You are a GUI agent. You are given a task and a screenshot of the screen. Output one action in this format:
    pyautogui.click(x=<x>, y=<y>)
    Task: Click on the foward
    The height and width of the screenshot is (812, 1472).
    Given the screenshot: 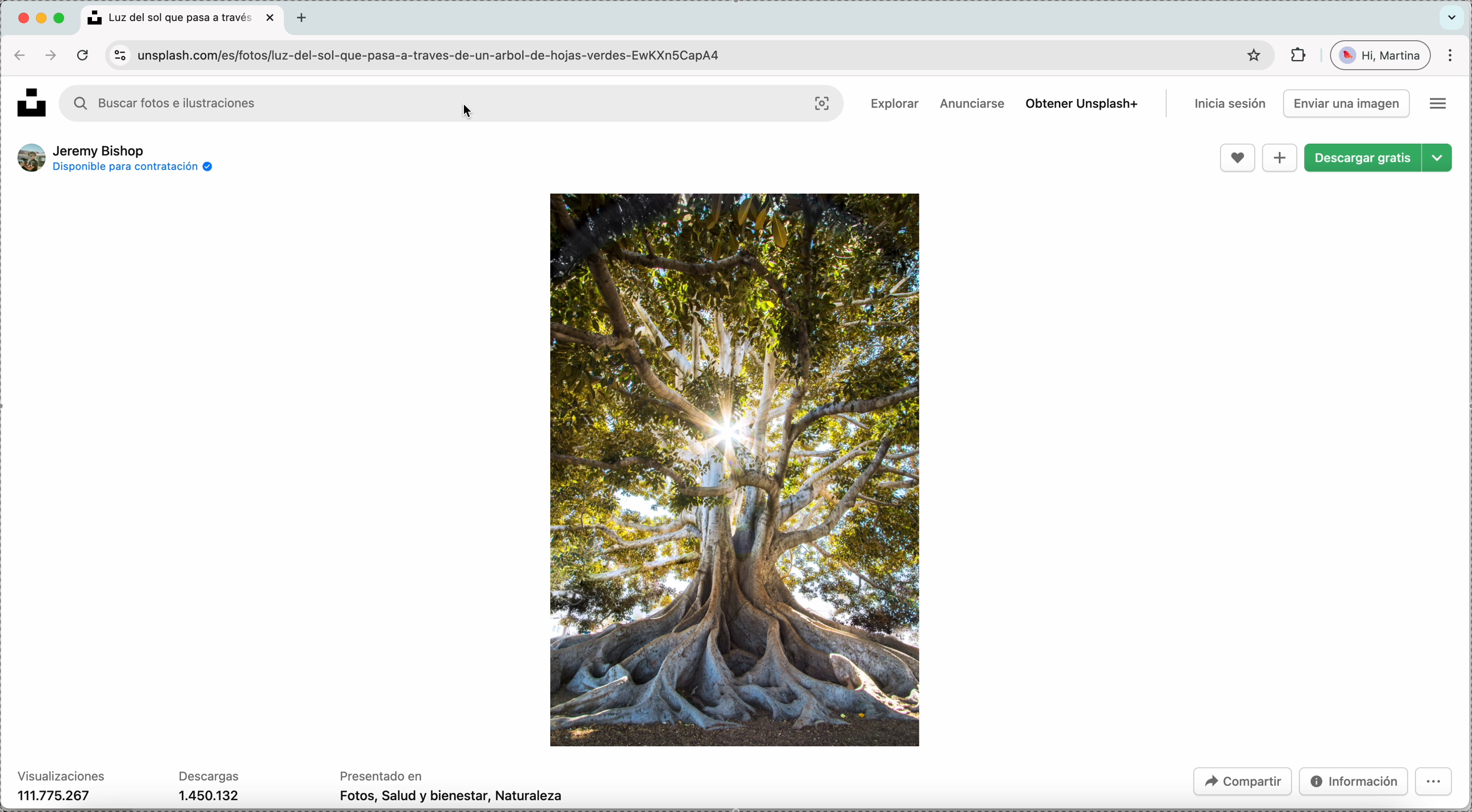 What is the action you would take?
    pyautogui.click(x=51, y=55)
    